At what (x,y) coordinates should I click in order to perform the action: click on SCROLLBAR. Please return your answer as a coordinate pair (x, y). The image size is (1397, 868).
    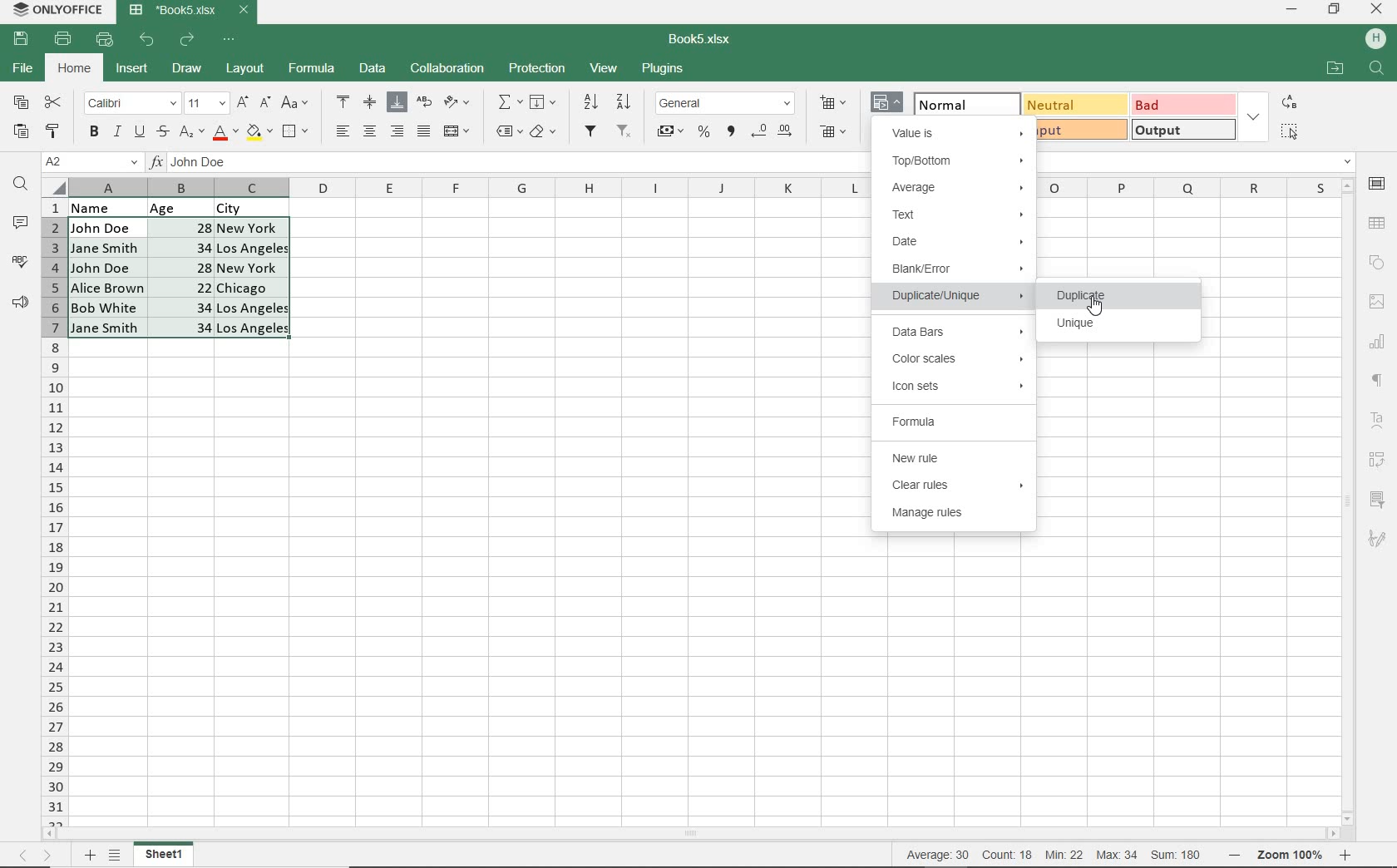
    Looking at the image, I should click on (1350, 501).